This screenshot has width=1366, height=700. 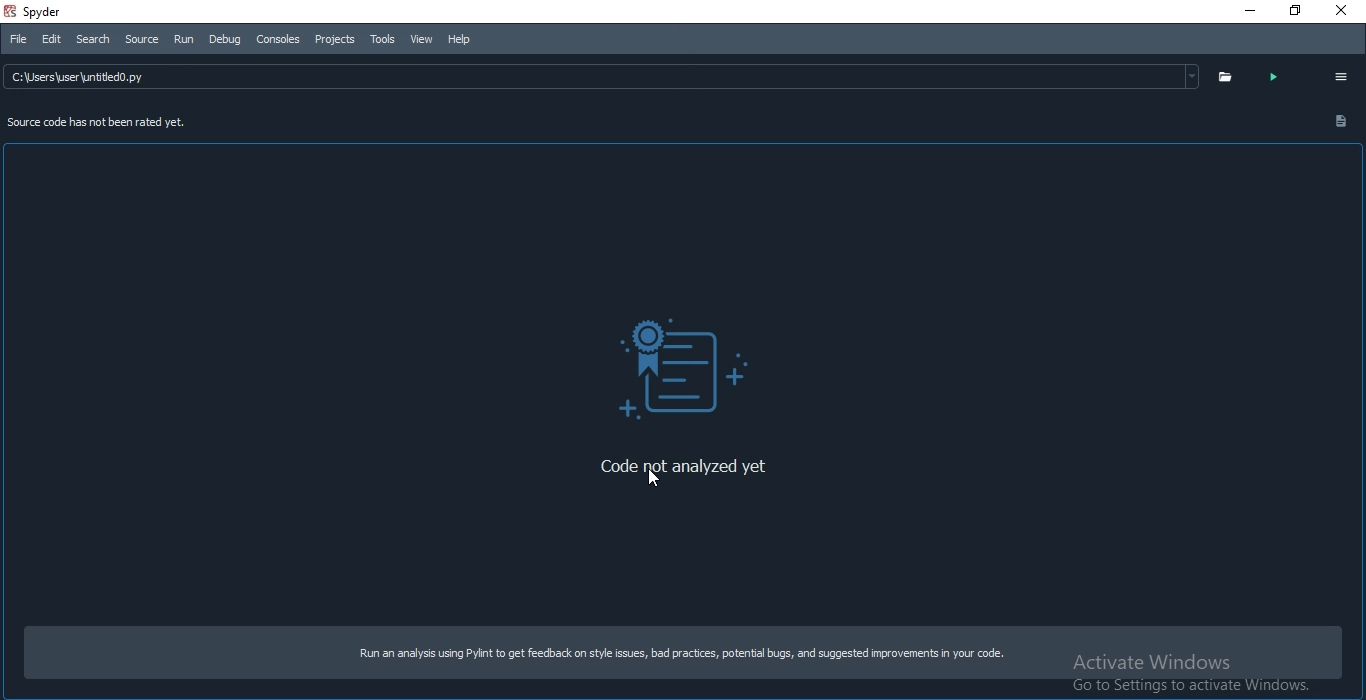 I want to click on projects, so click(x=335, y=39).